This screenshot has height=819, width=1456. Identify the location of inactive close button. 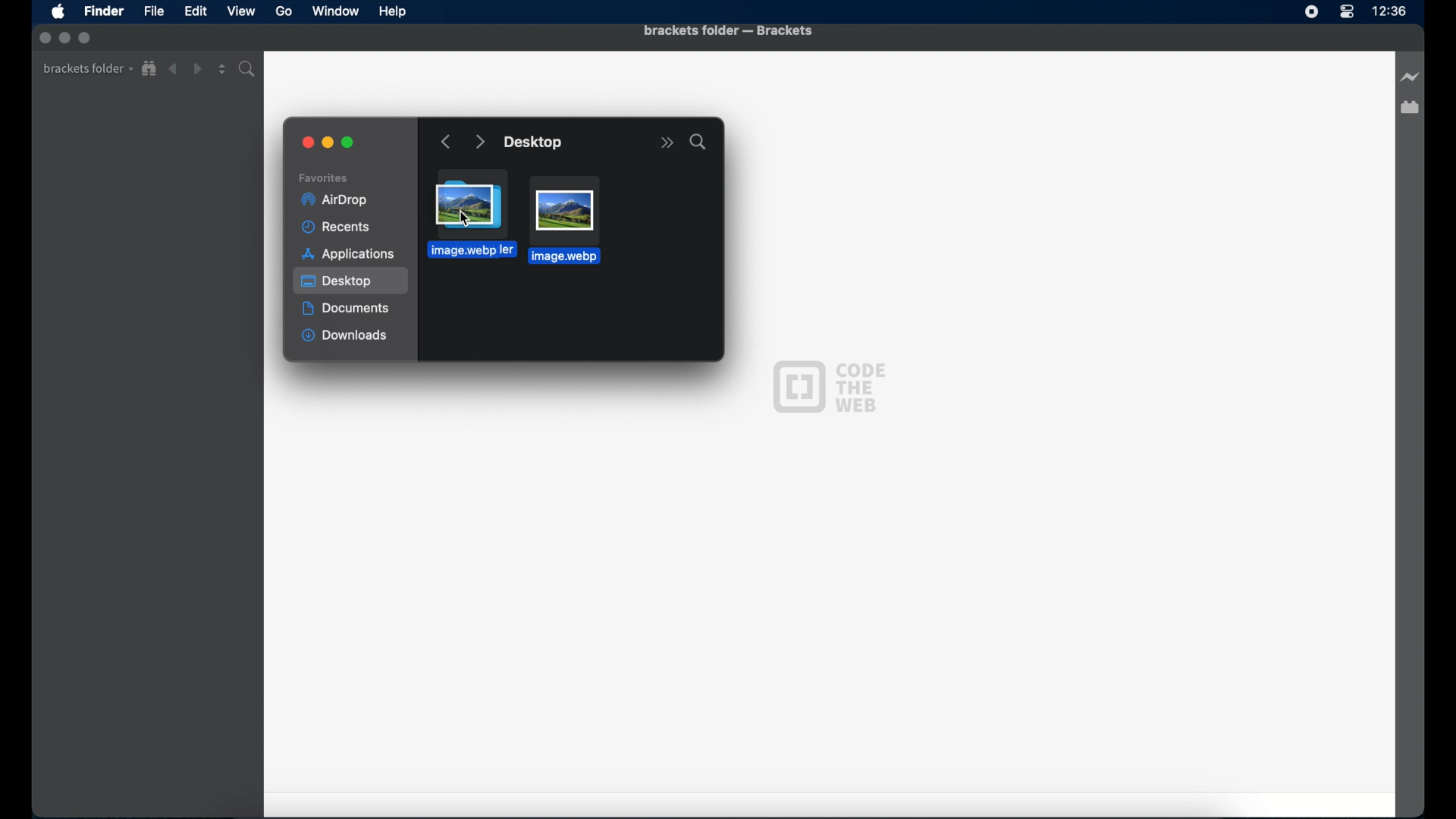
(45, 38).